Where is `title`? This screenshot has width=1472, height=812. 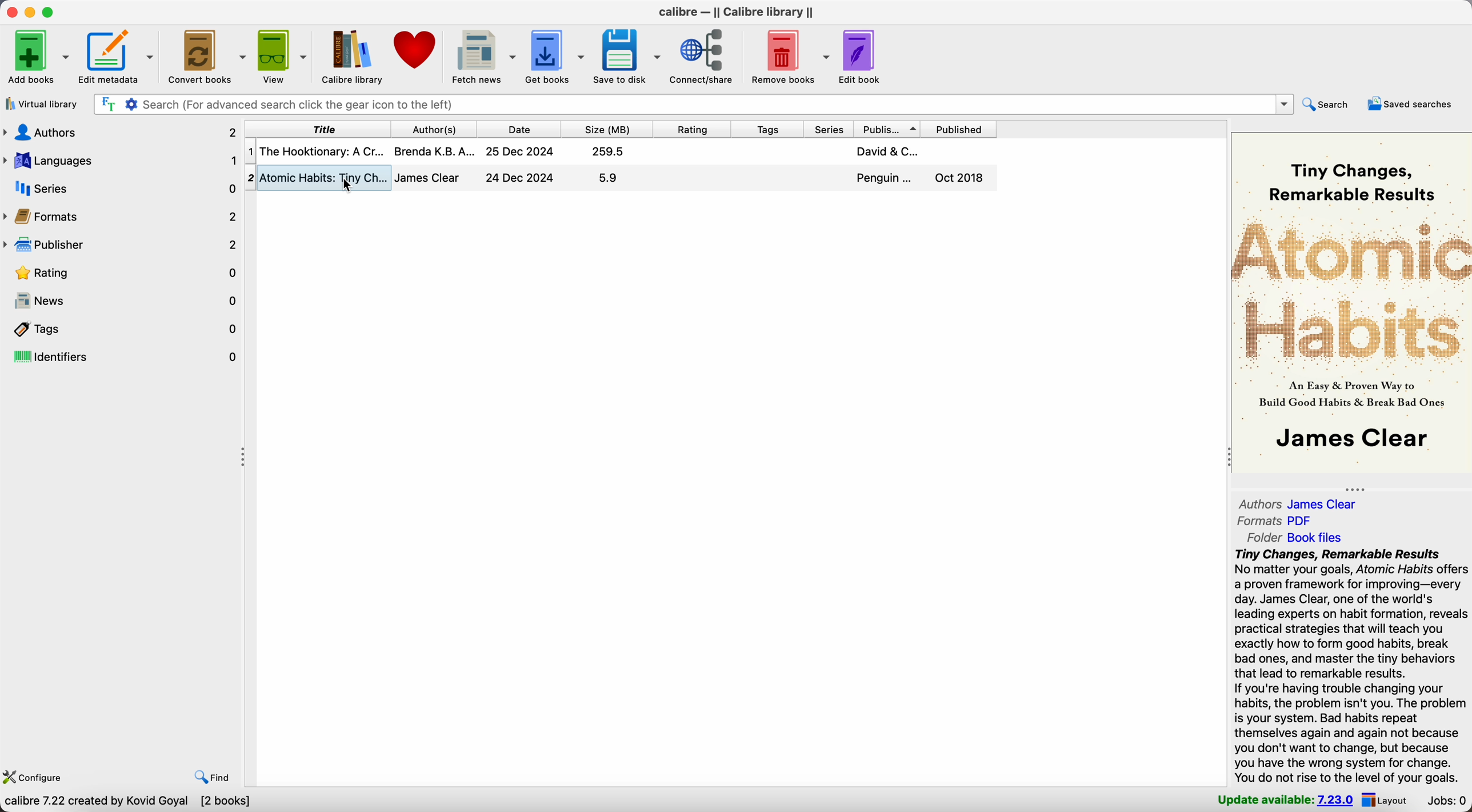
title is located at coordinates (315, 128).